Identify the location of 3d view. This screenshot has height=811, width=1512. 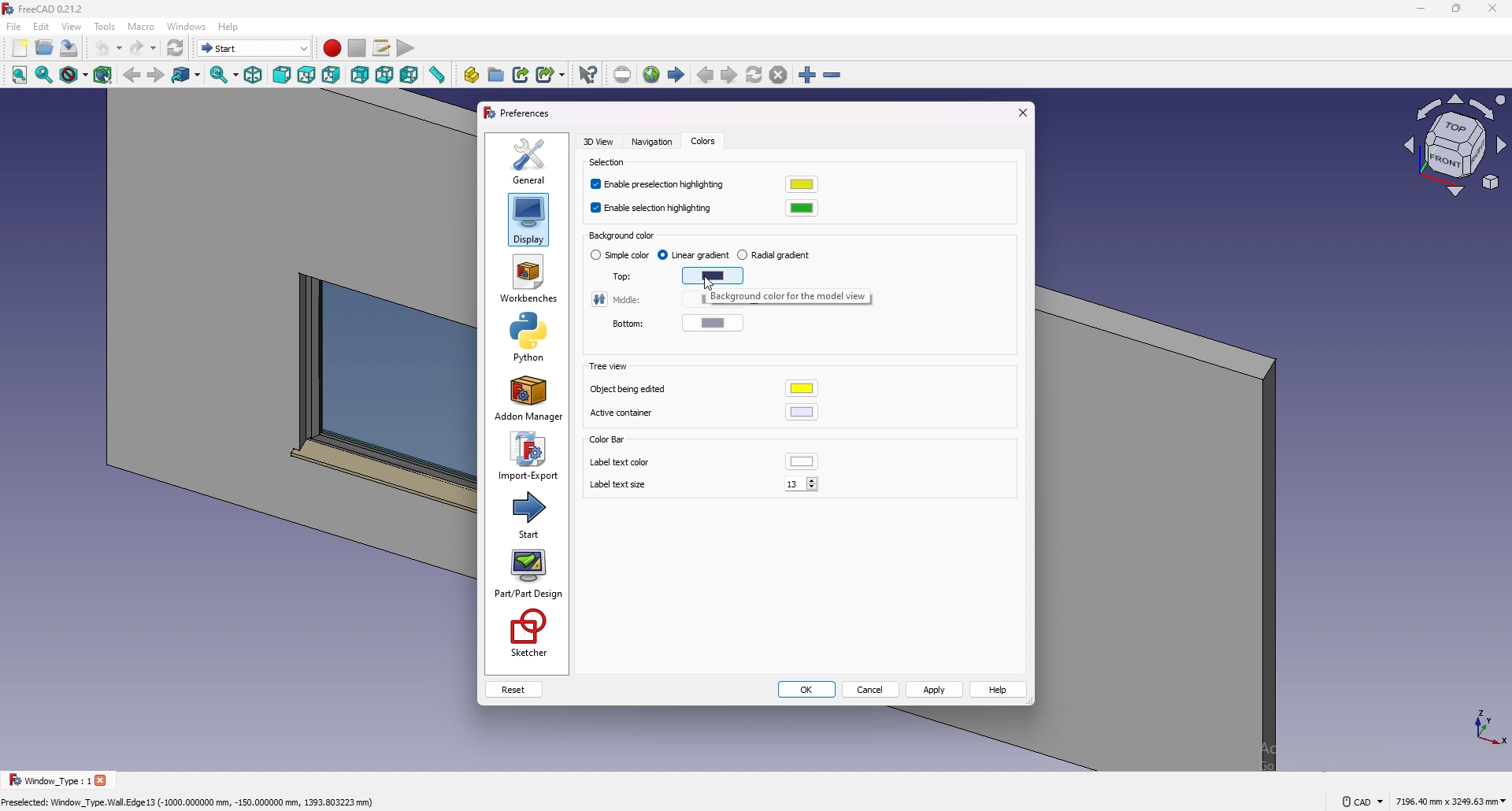
(600, 141).